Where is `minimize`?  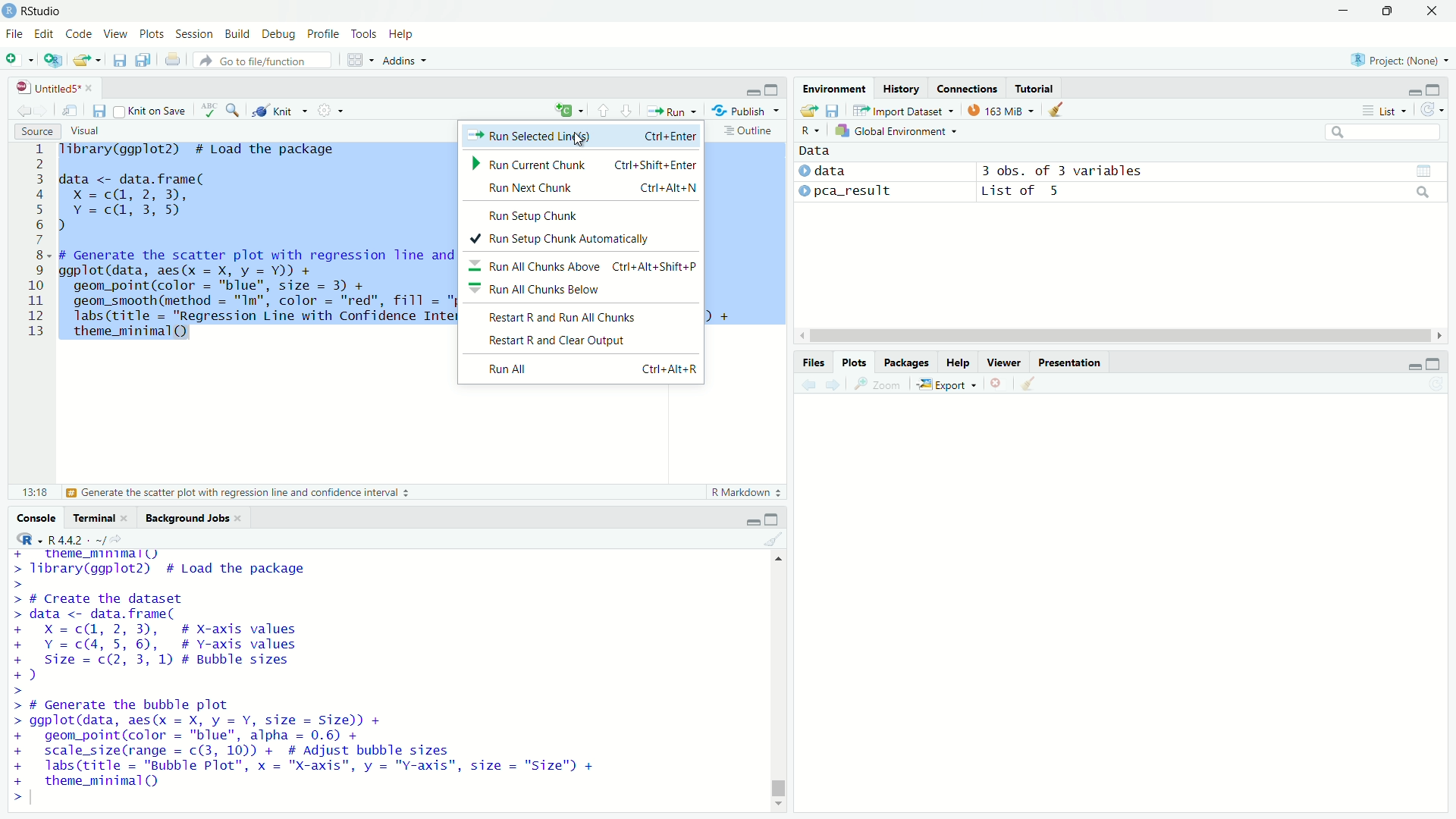
minimize is located at coordinates (1413, 91).